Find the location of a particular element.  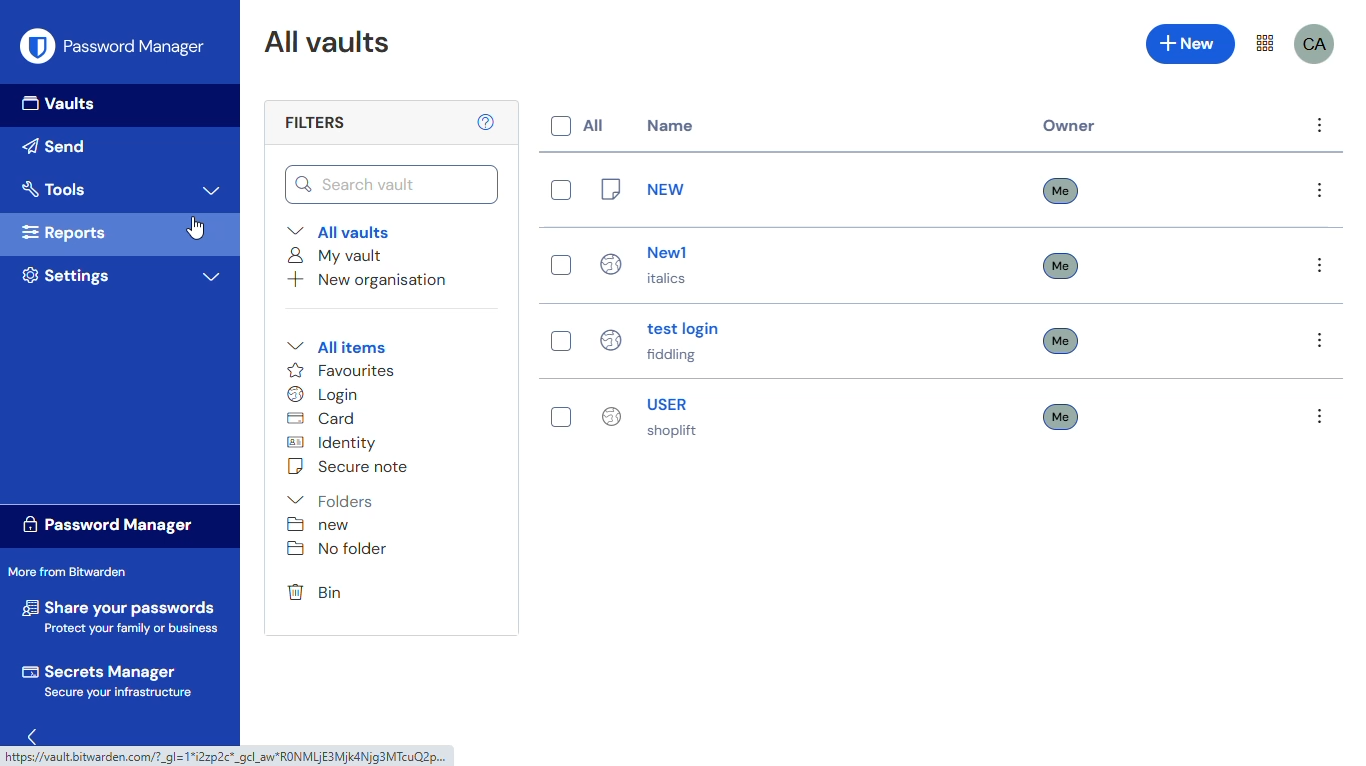

new is located at coordinates (318, 525).